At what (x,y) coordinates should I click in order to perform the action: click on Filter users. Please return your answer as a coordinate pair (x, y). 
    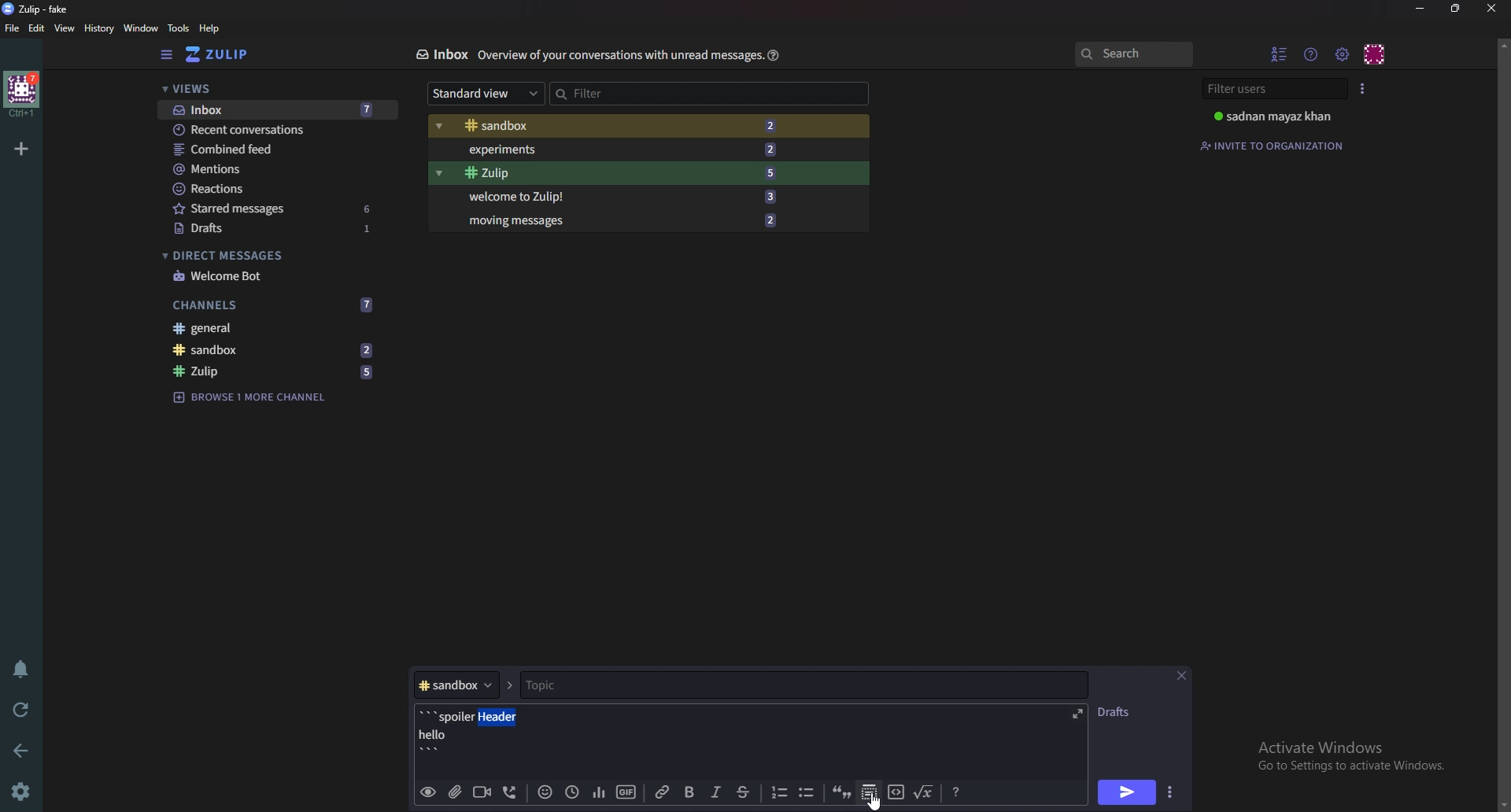
    Looking at the image, I should click on (1278, 89).